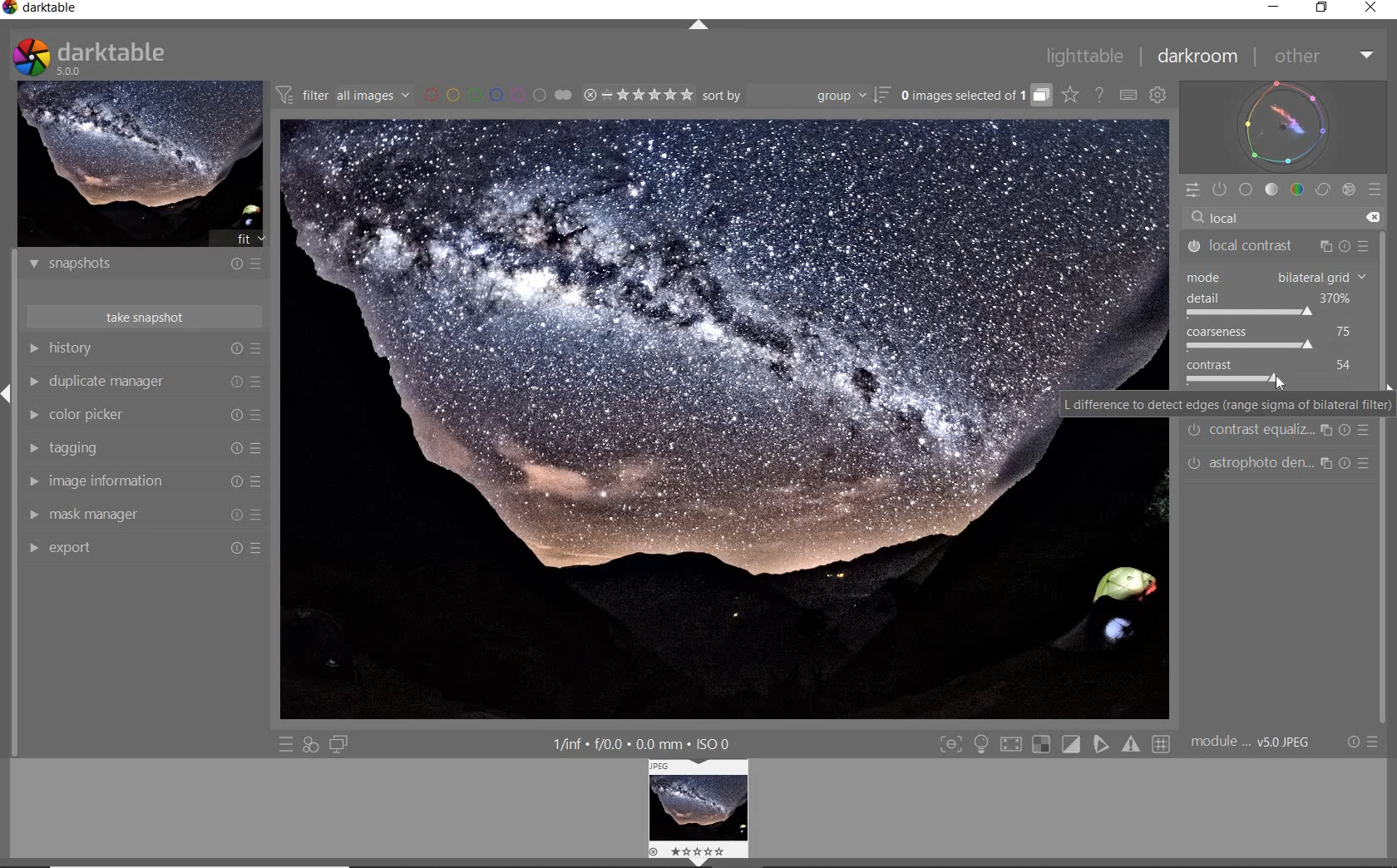  What do you see at coordinates (234, 448) in the screenshot?
I see `Reset` at bounding box center [234, 448].